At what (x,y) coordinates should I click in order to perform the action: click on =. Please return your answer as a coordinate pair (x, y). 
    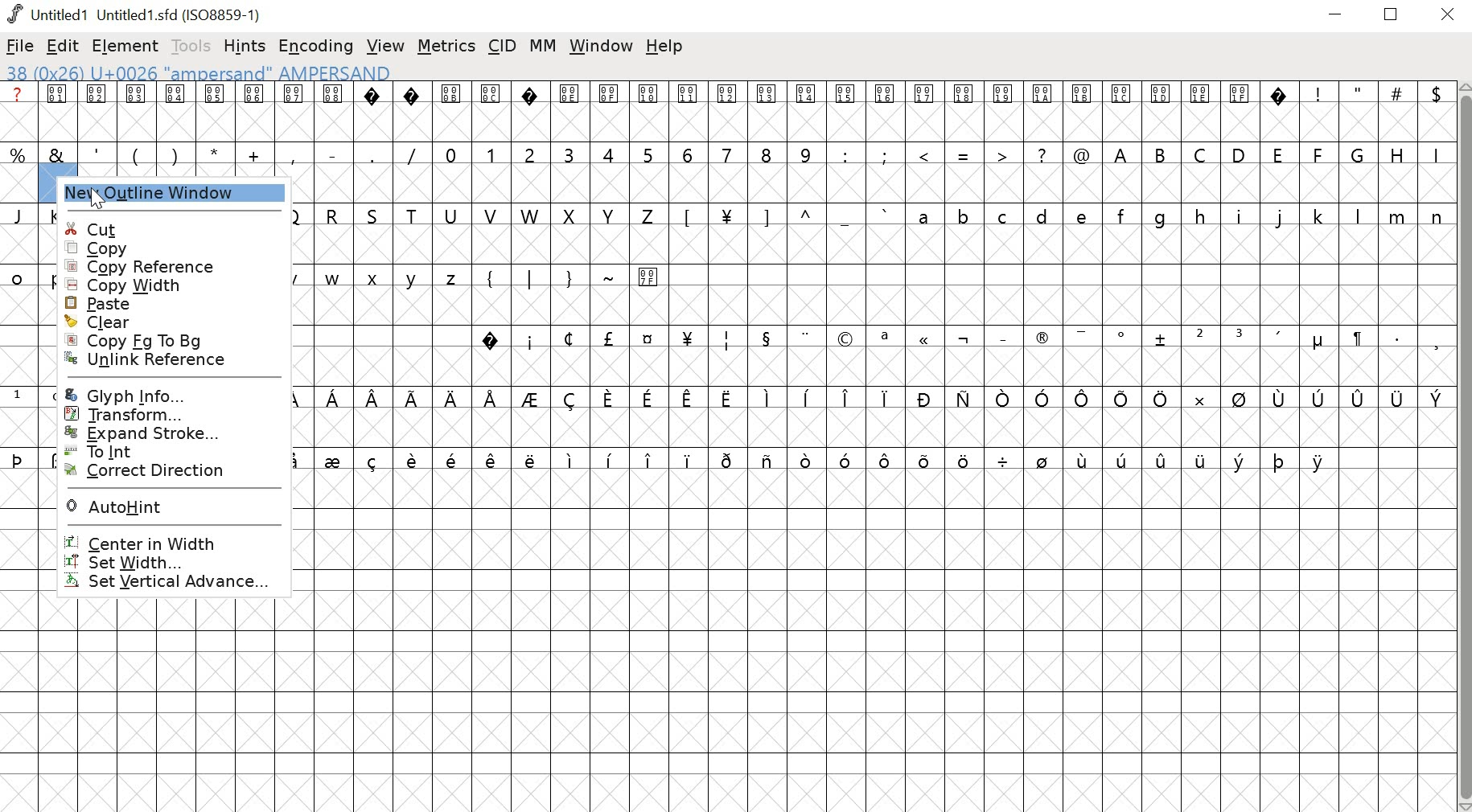
    Looking at the image, I should click on (964, 154).